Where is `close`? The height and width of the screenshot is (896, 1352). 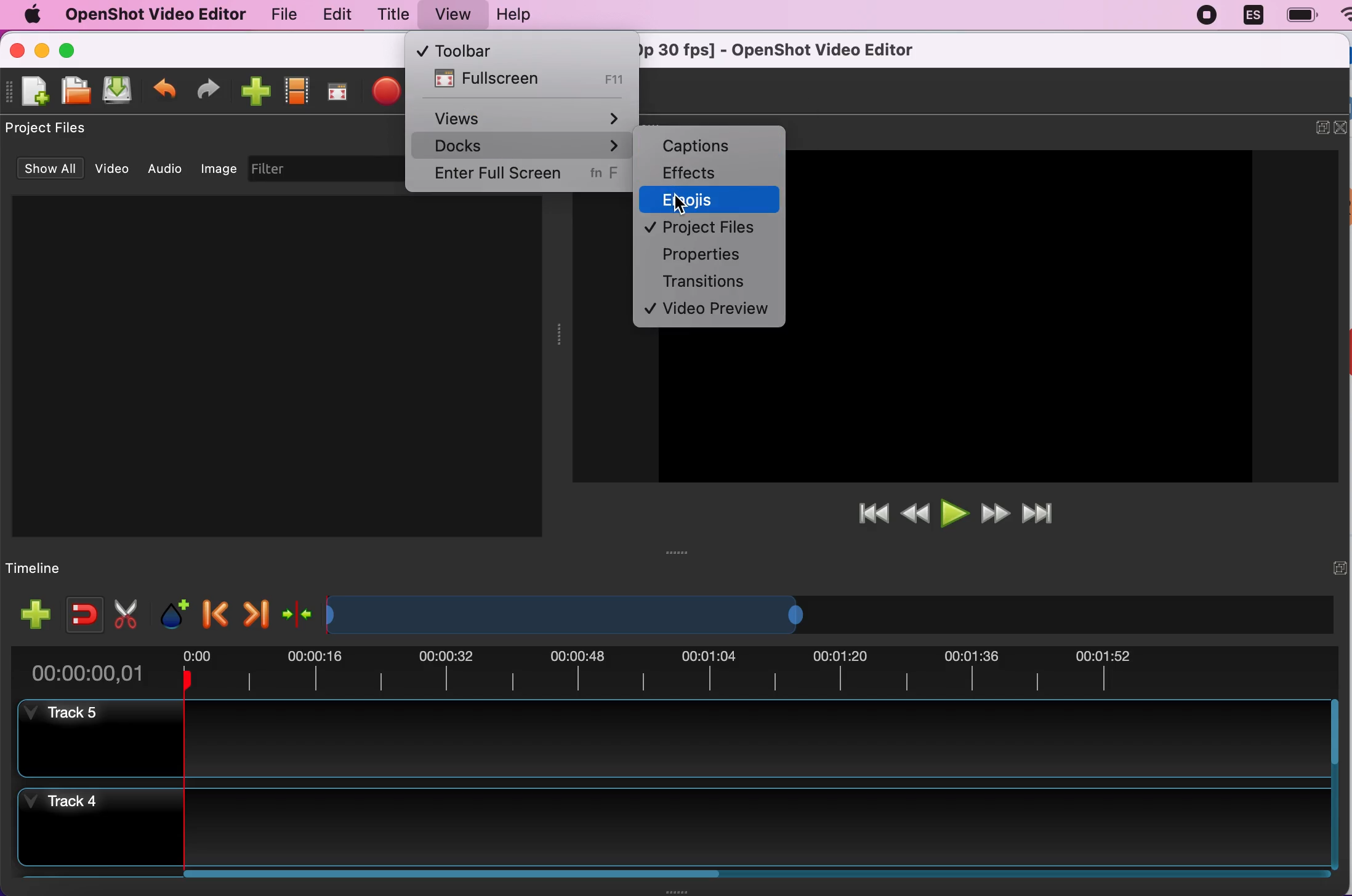
close is located at coordinates (22, 53).